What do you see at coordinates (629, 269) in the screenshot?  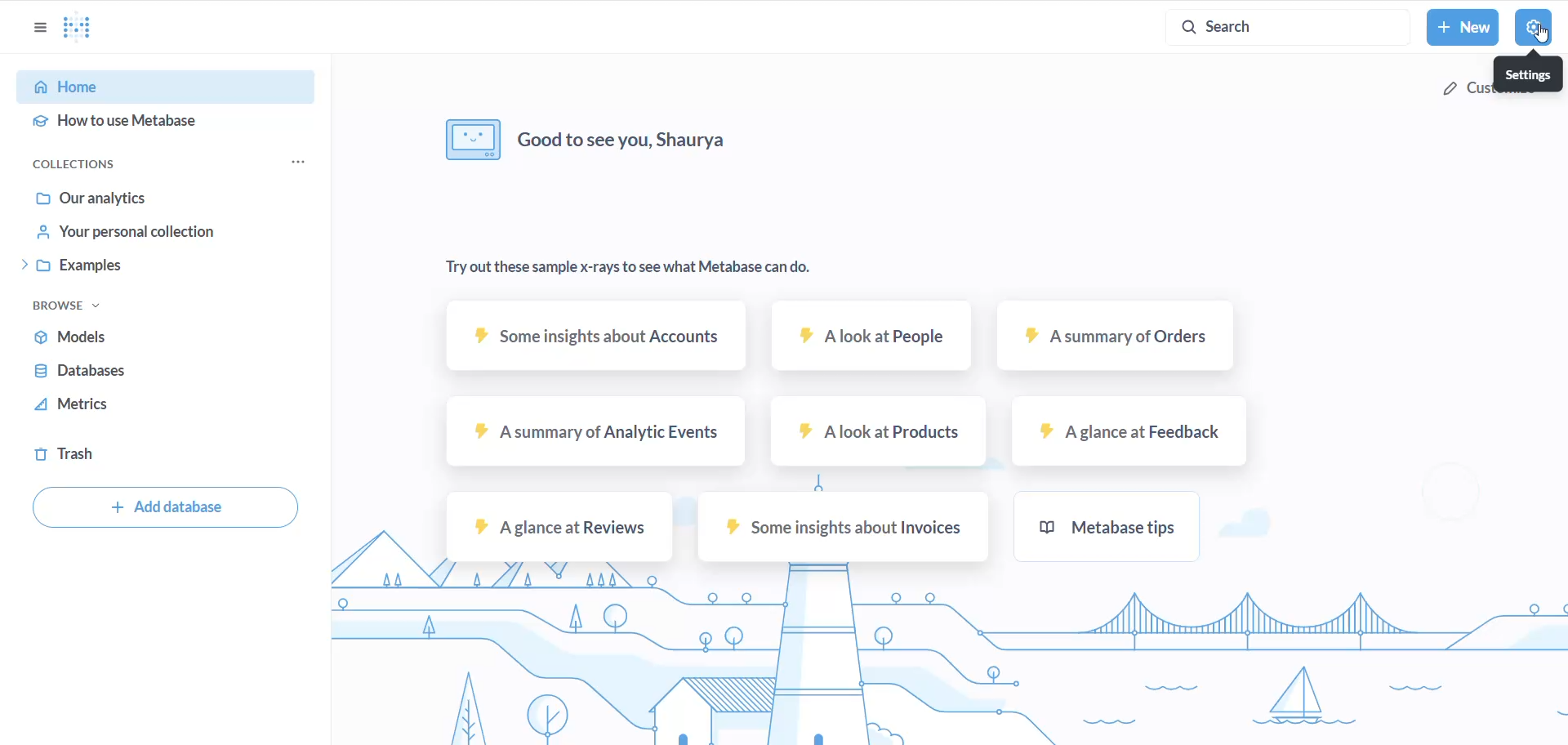 I see `Try out these sample x-rays to see what Metabase can do.` at bounding box center [629, 269].